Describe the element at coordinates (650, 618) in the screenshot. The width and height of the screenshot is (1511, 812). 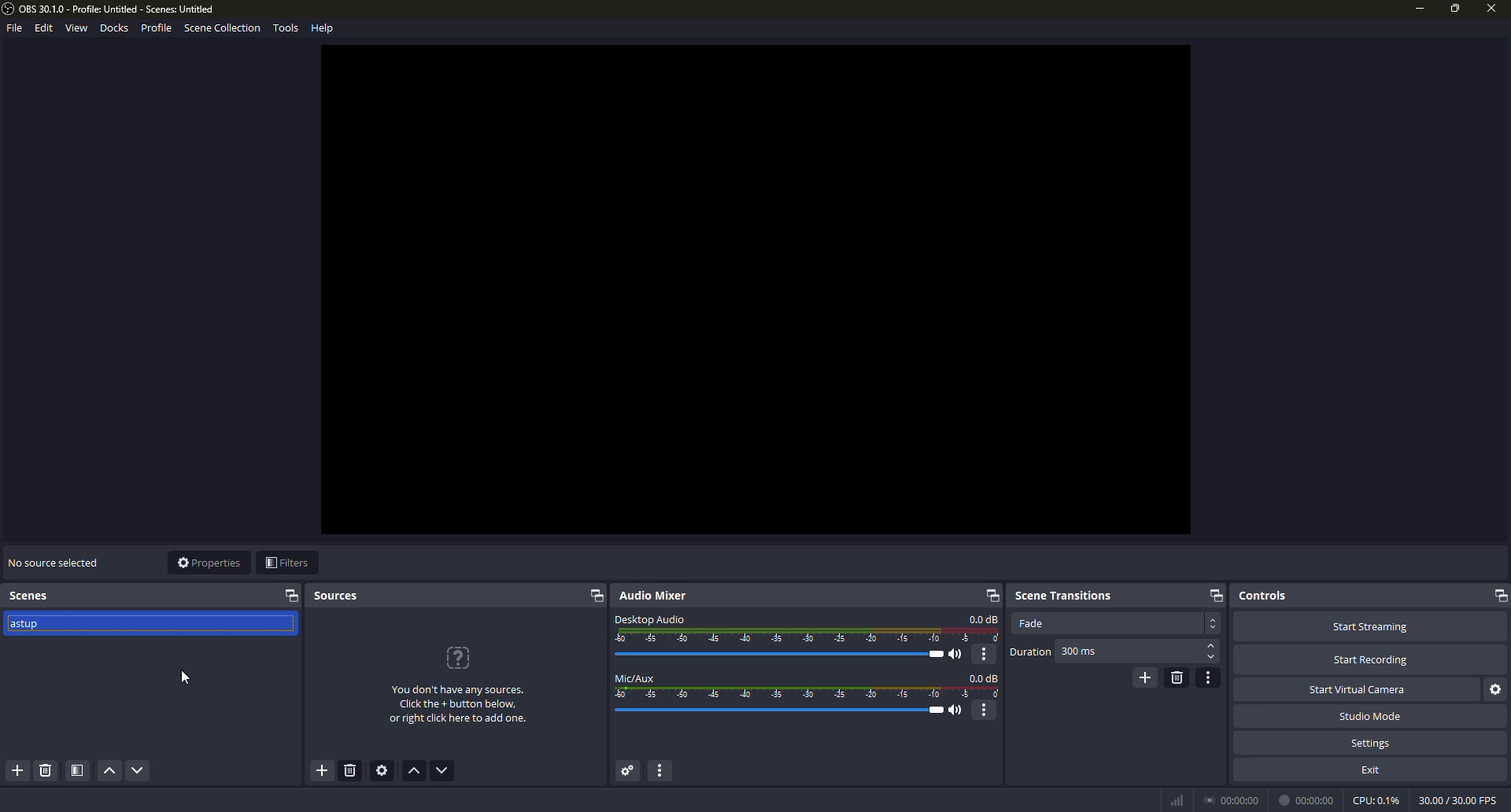
I see `desktop audio` at that location.